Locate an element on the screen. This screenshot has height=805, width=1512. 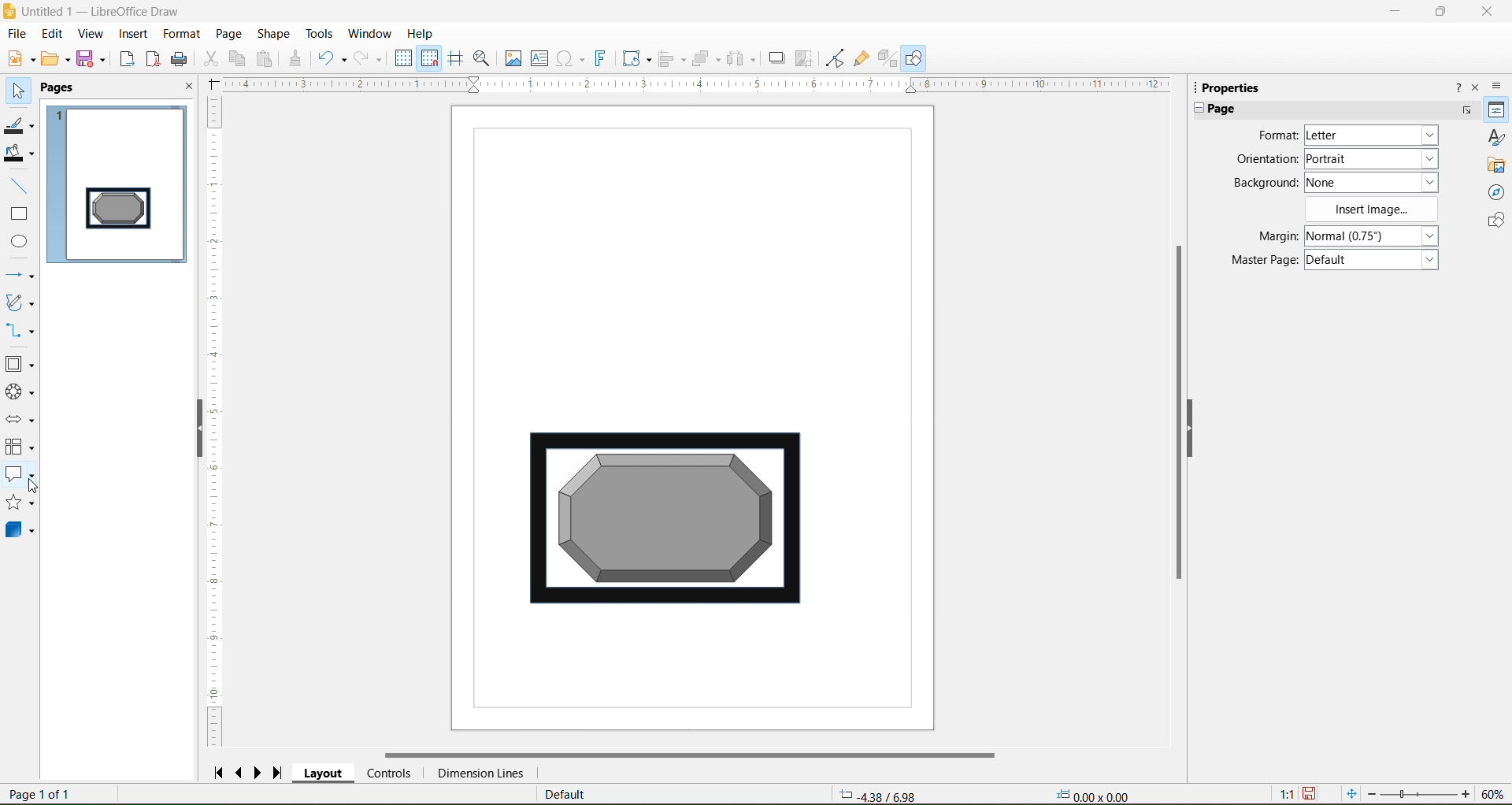
Close is located at coordinates (187, 88).